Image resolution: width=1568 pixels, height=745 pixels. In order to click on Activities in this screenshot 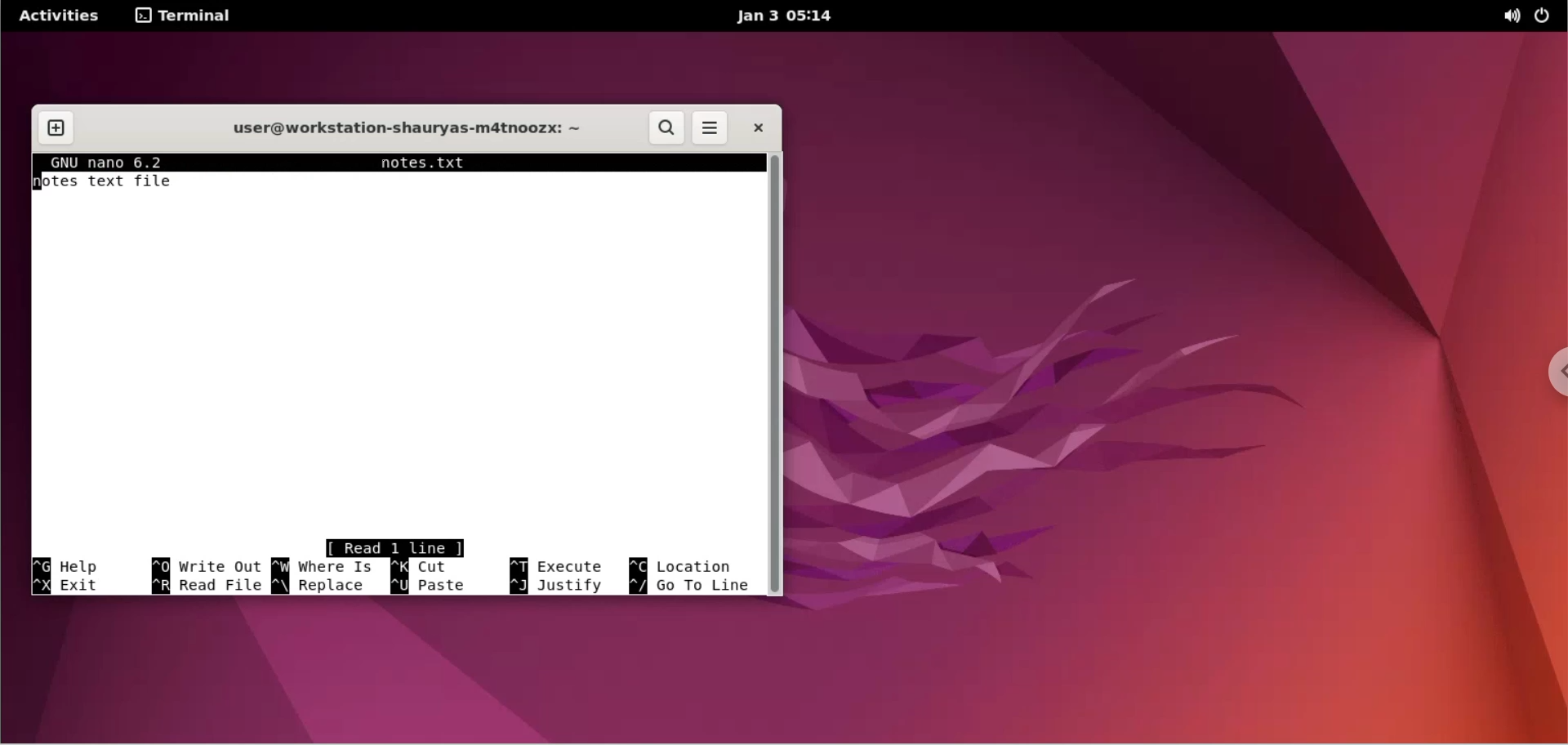, I will do `click(60, 15)`.